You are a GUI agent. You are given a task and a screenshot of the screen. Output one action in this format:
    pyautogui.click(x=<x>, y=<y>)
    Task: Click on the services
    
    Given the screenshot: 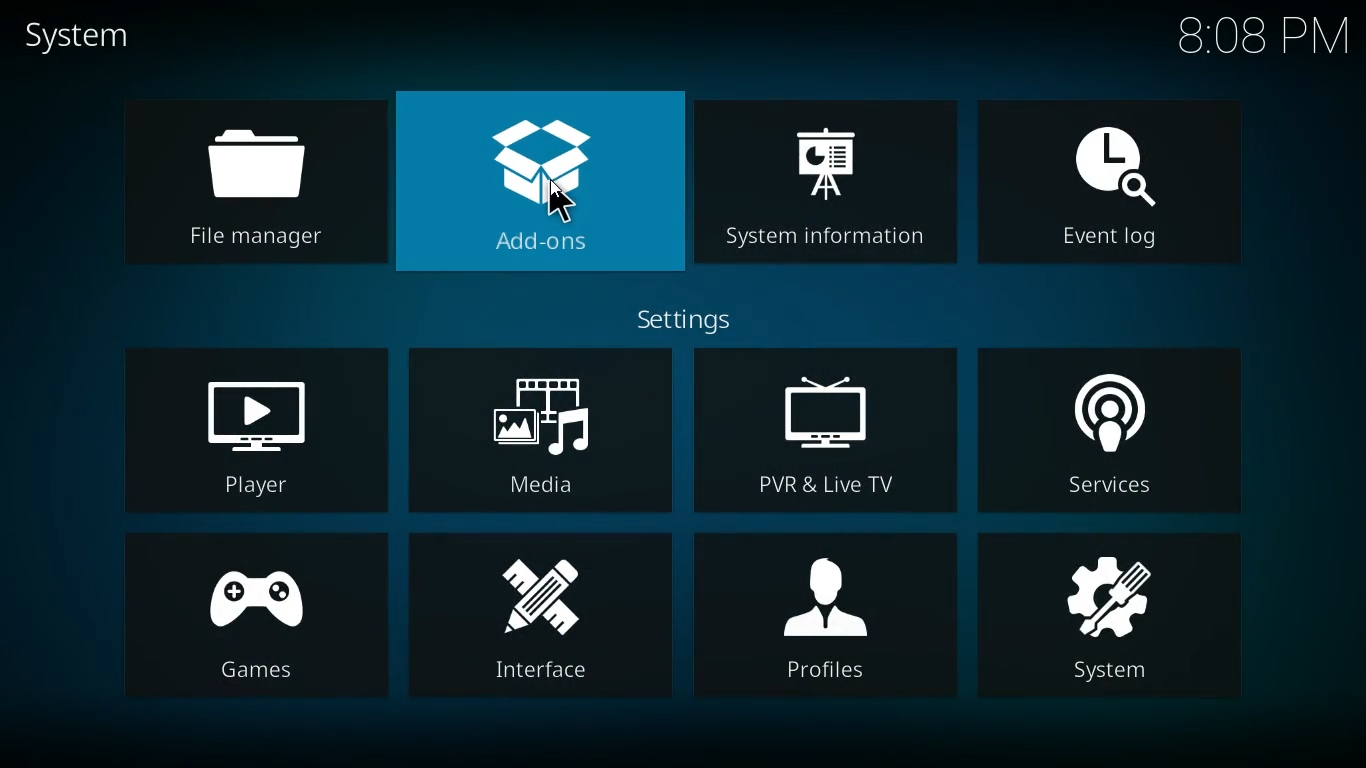 What is the action you would take?
    pyautogui.click(x=1116, y=430)
    